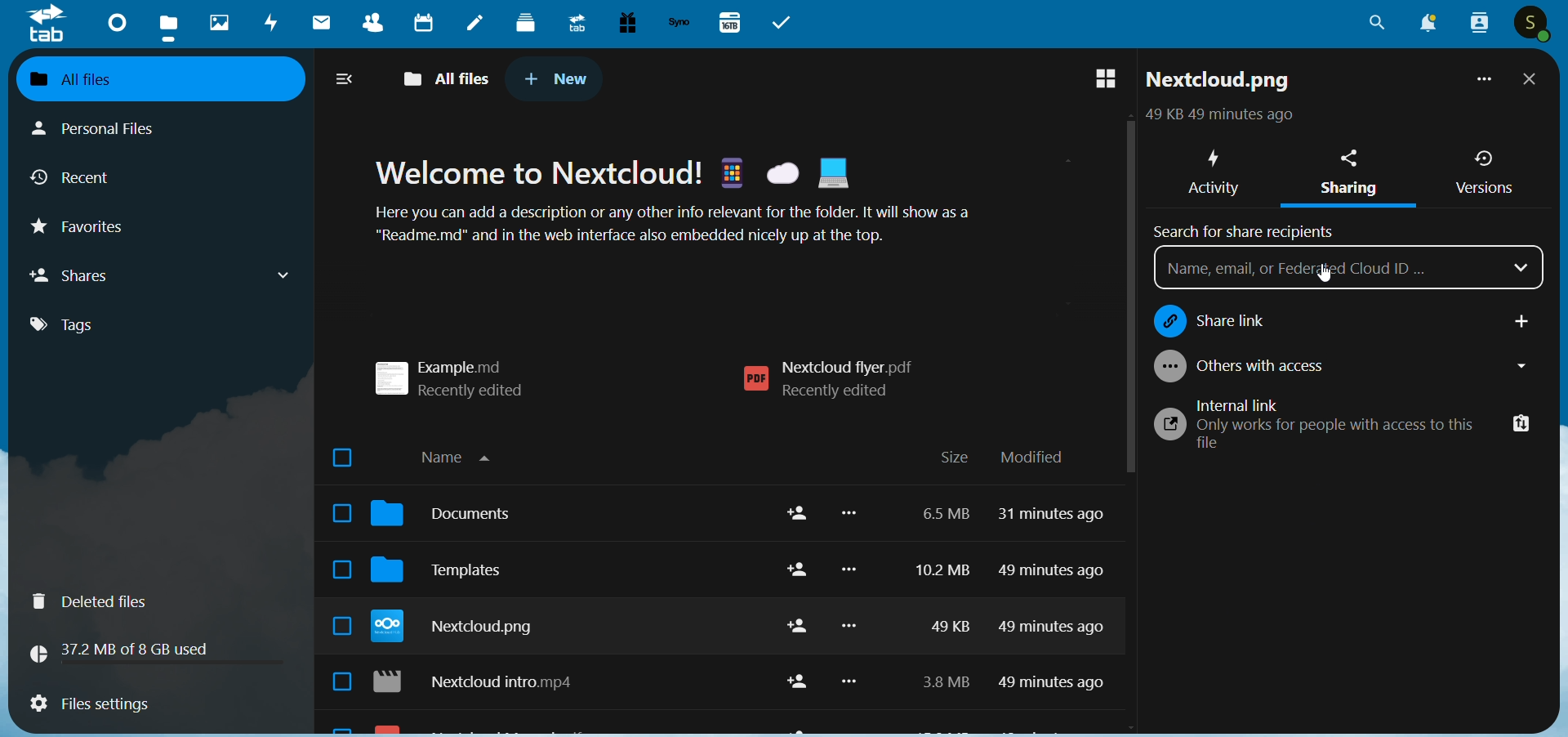 Image resolution: width=1568 pixels, height=737 pixels. What do you see at coordinates (146, 78) in the screenshot?
I see `all files` at bounding box center [146, 78].